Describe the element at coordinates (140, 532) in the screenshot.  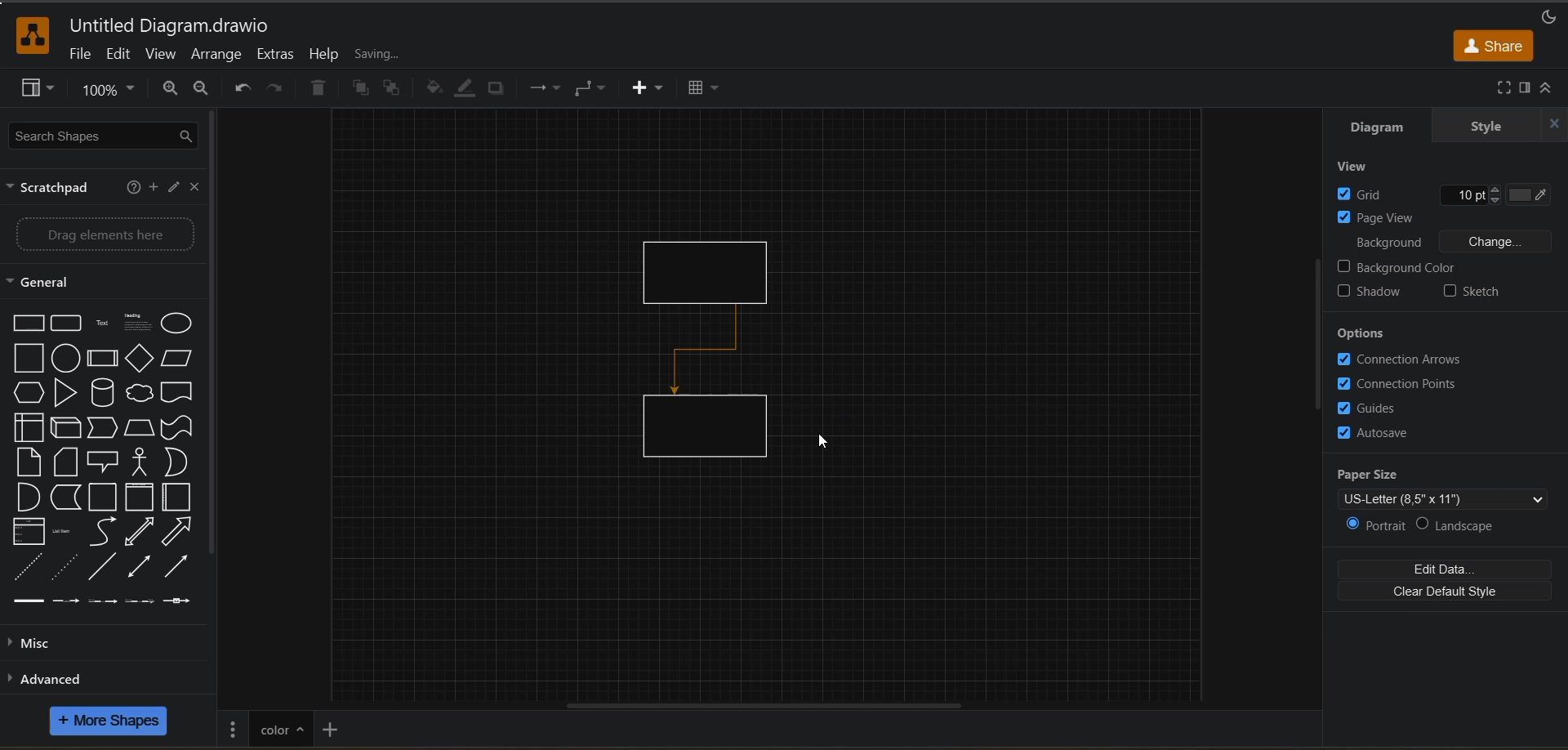
I see `Bidirectional Arrow` at that location.